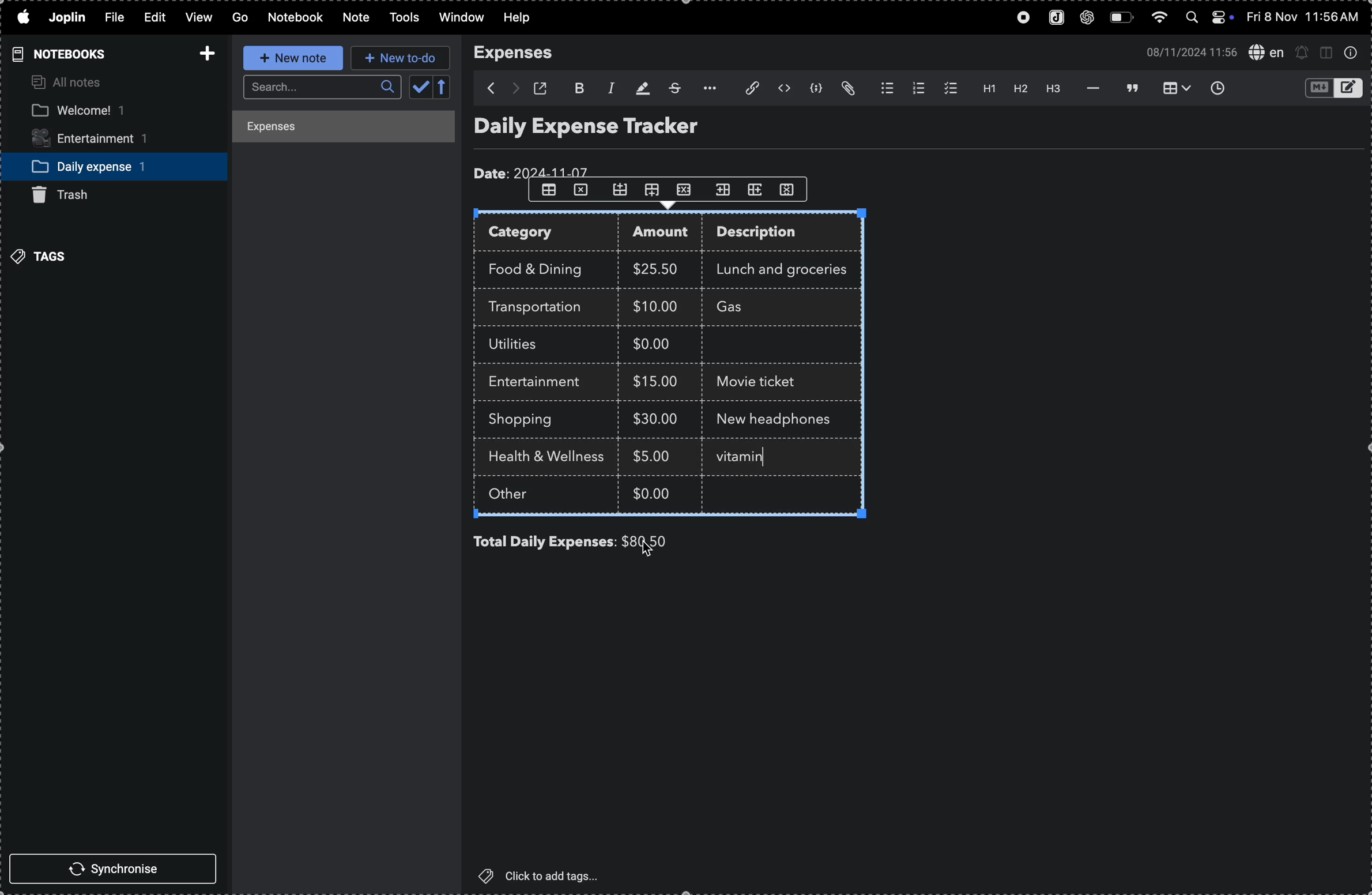  What do you see at coordinates (521, 53) in the screenshot?
I see `expenses` at bounding box center [521, 53].